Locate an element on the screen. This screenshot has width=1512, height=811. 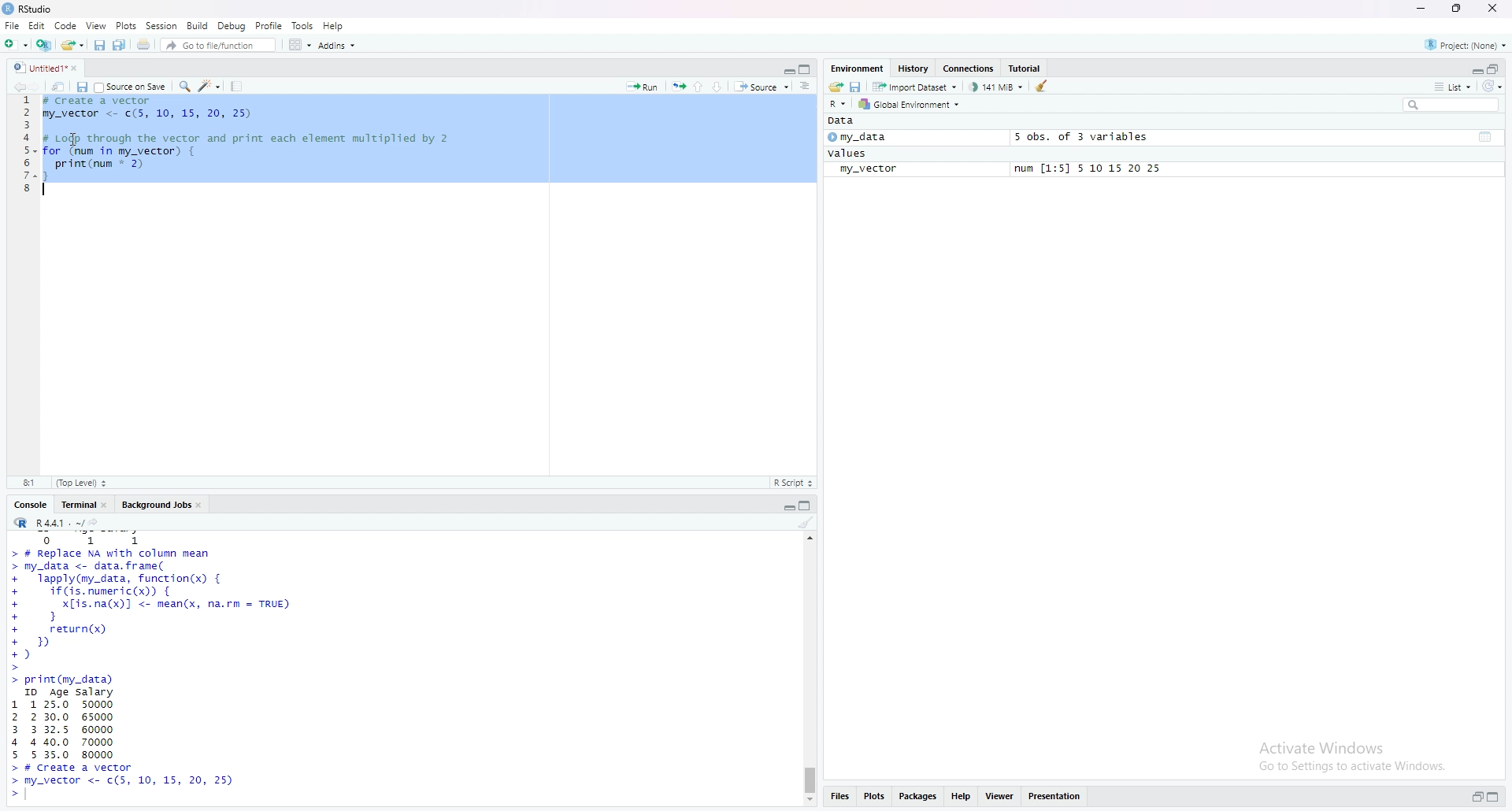
Background jobs is located at coordinates (162, 504).